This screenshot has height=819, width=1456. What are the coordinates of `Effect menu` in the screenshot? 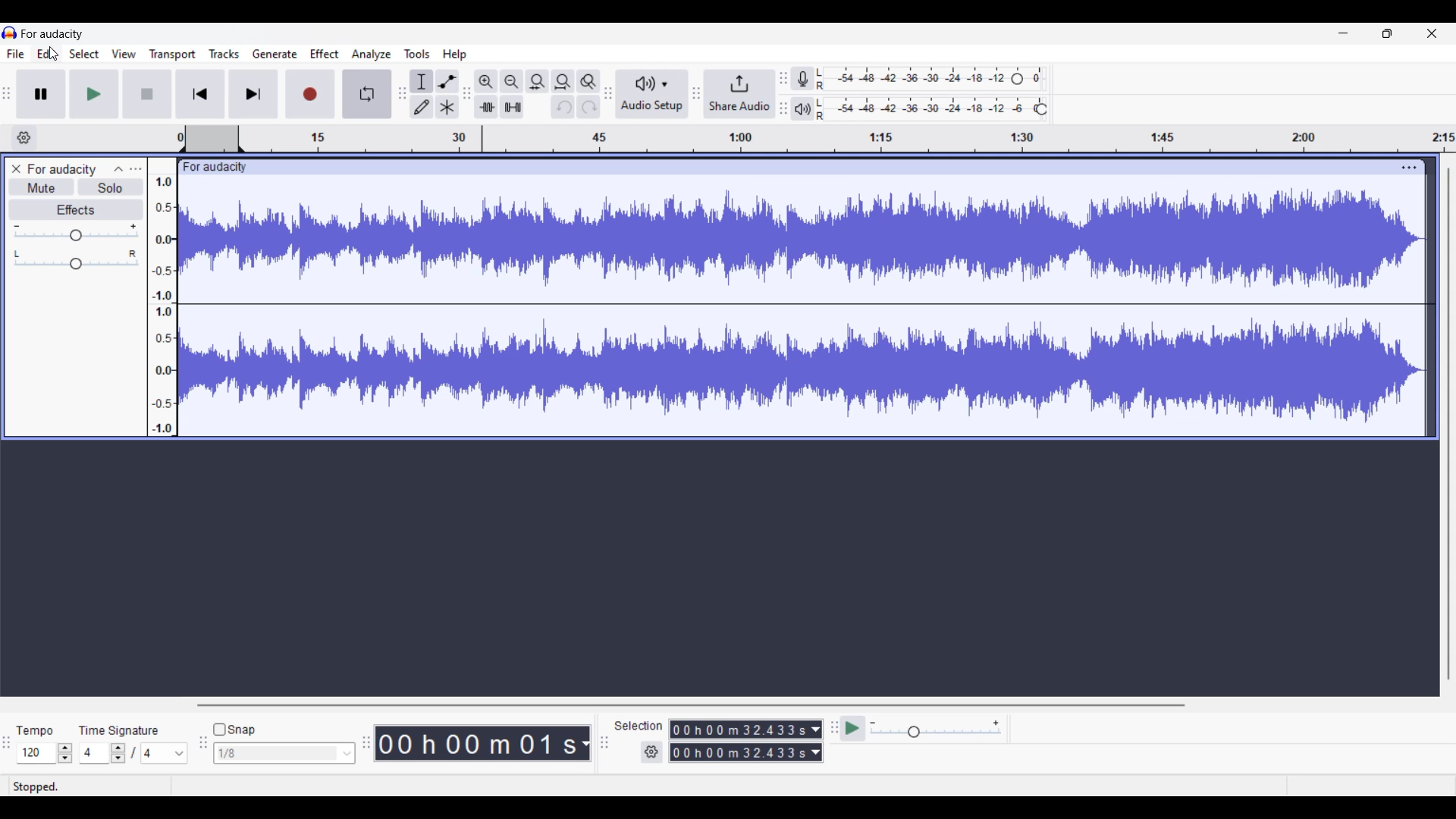 It's located at (325, 54).